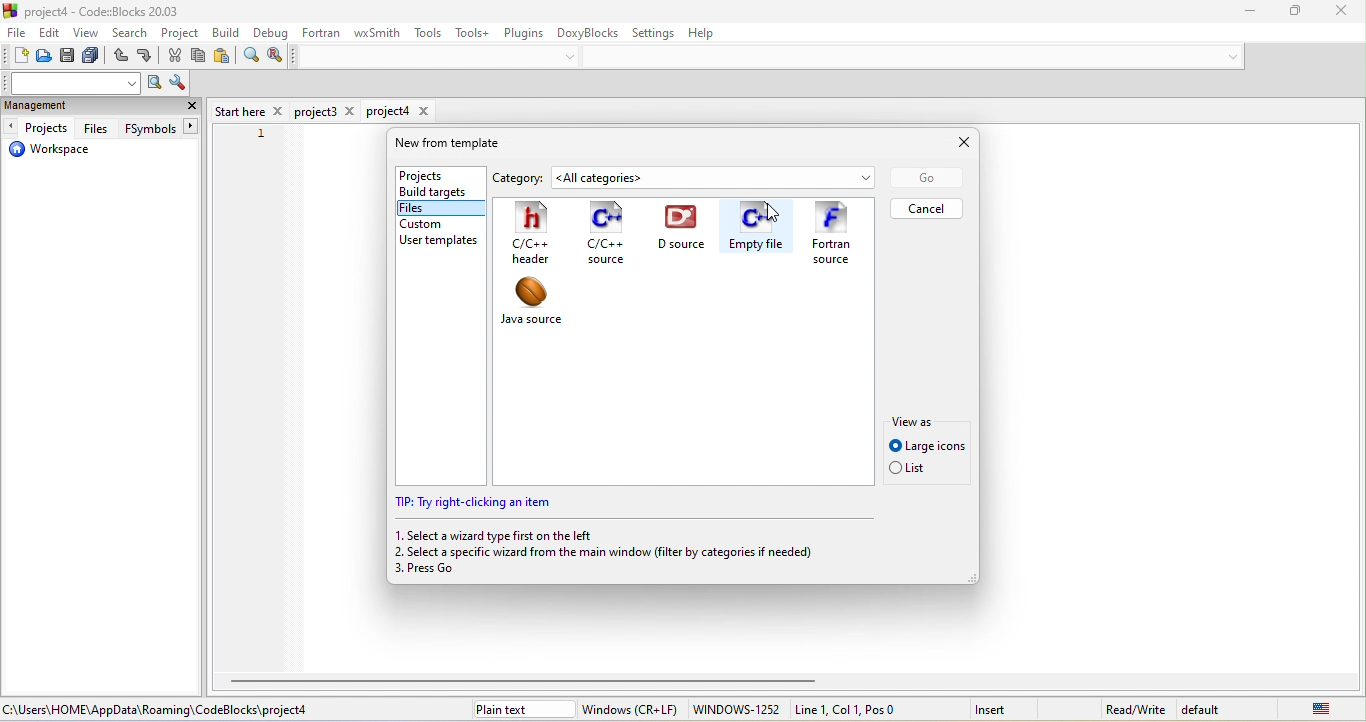 Image resolution: width=1366 pixels, height=722 pixels. I want to click on settings, so click(656, 32).